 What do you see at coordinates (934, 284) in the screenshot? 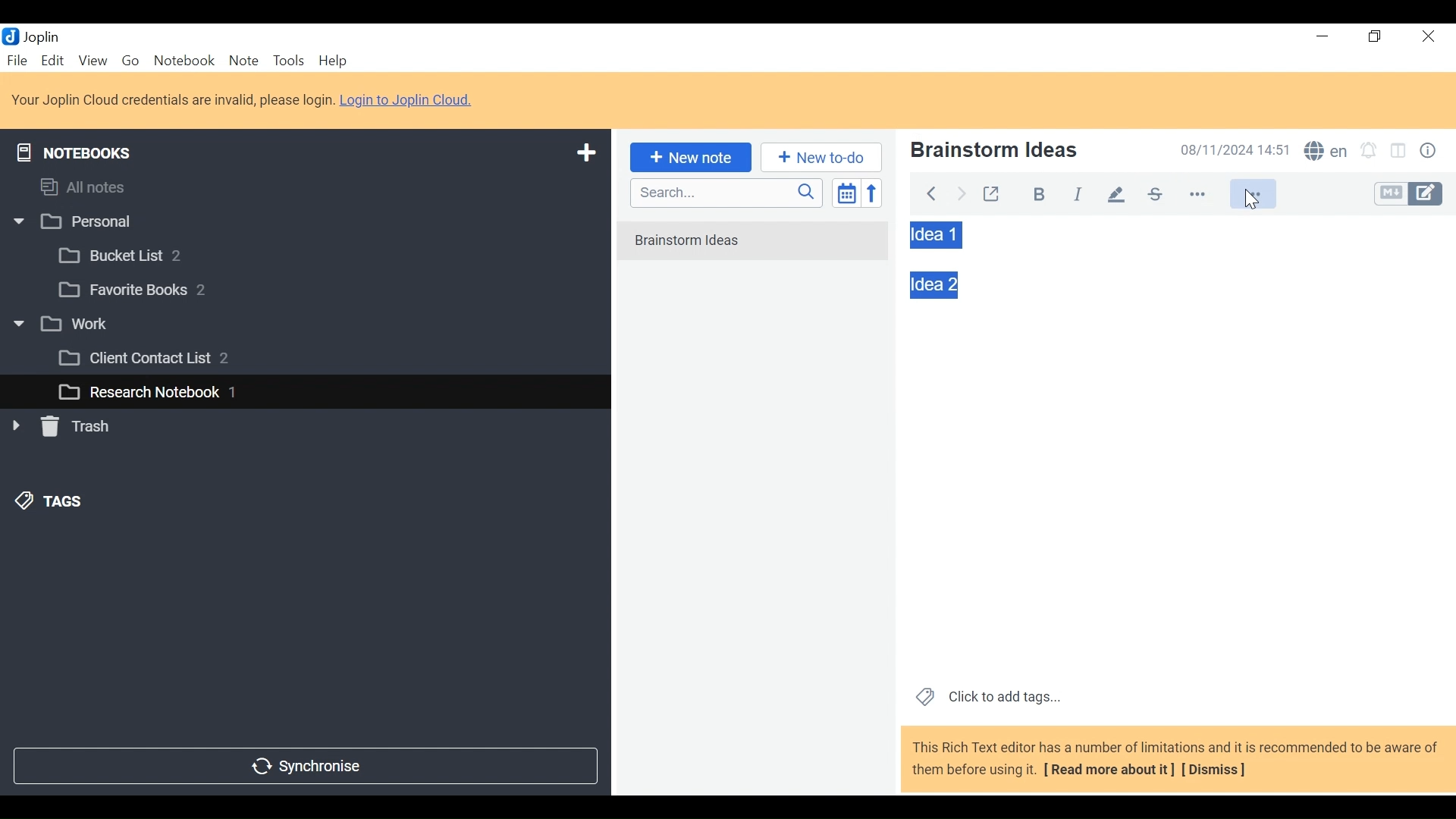
I see `note view` at bounding box center [934, 284].